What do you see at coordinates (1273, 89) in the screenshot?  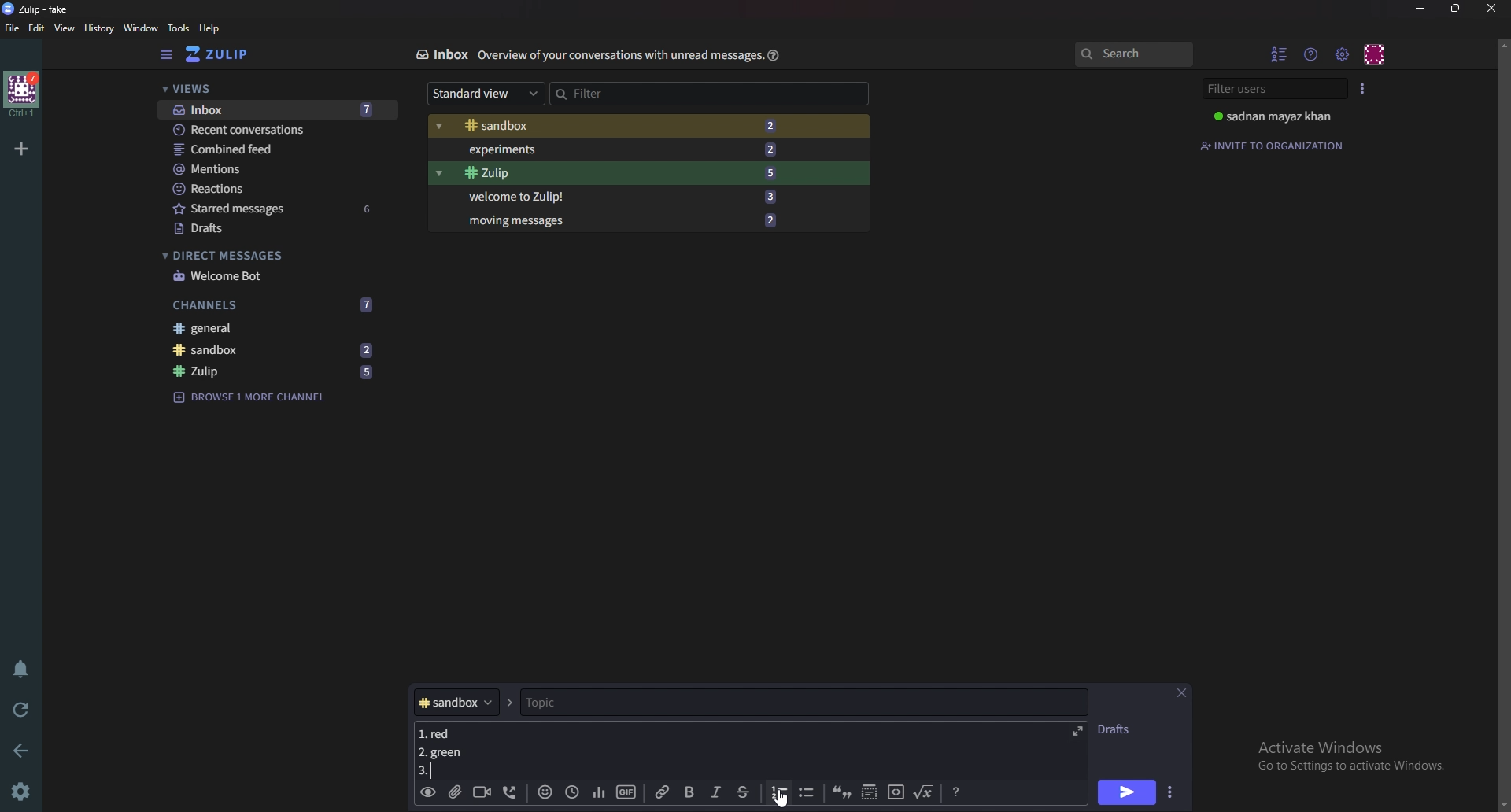 I see `Filter users` at bounding box center [1273, 89].